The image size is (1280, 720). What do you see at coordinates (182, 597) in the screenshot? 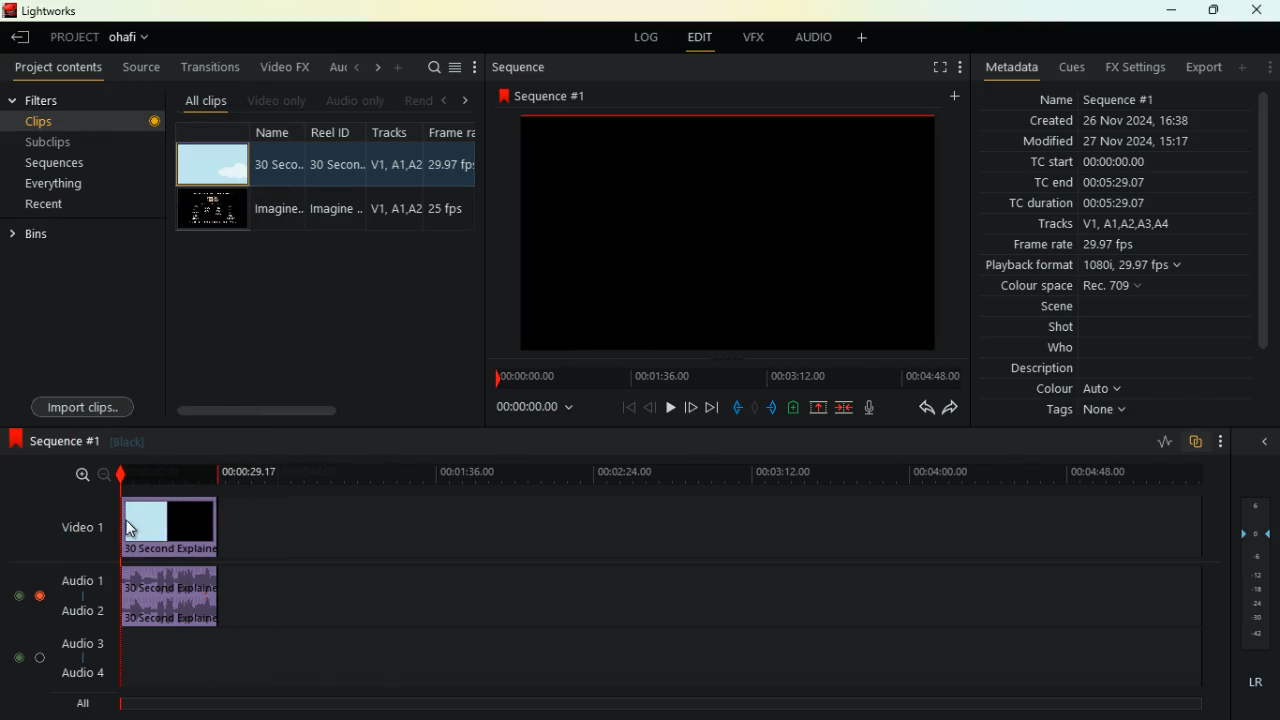
I see `audio` at bounding box center [182, 597].